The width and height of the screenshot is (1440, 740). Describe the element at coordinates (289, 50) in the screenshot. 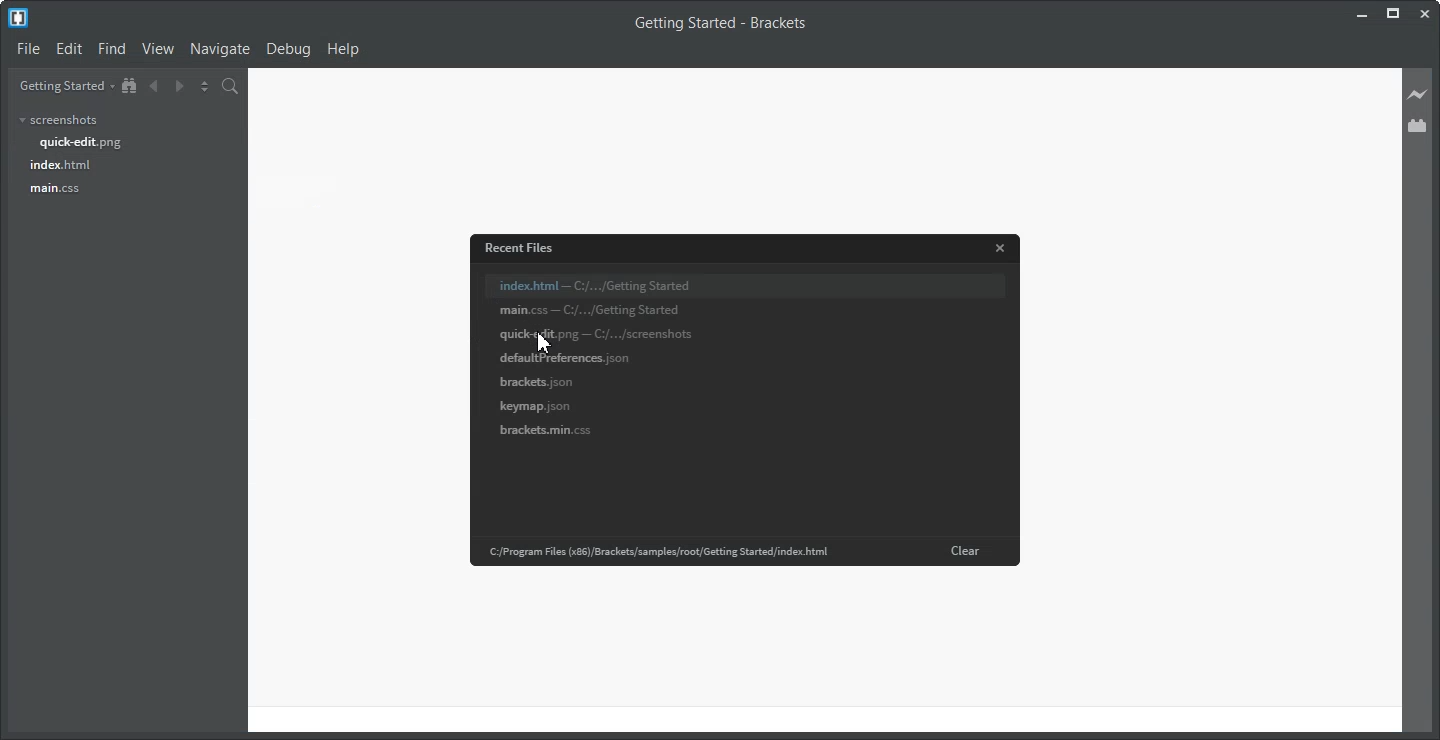

I see `Debug` at that location.